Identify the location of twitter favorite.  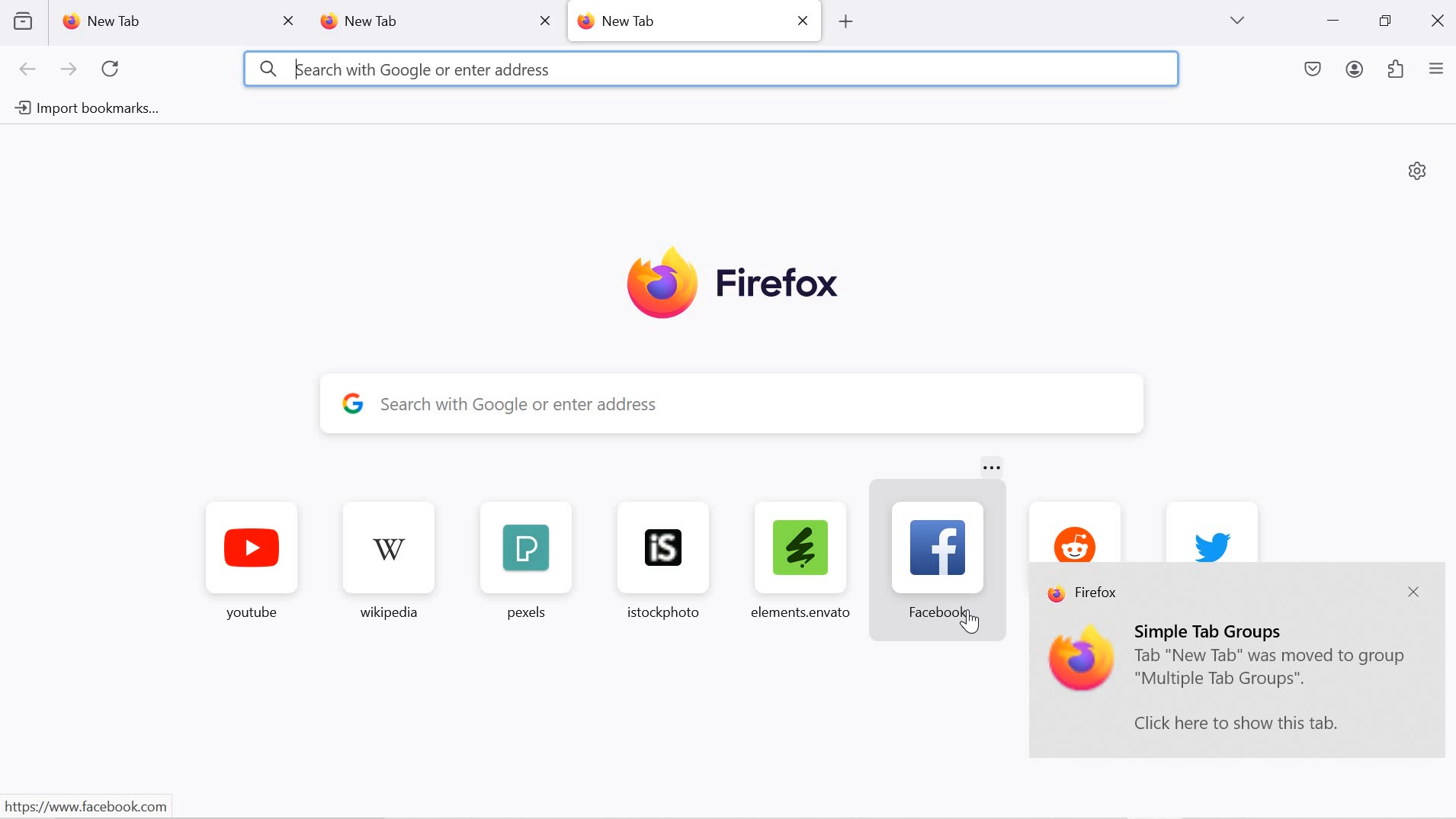
(1212, 531).